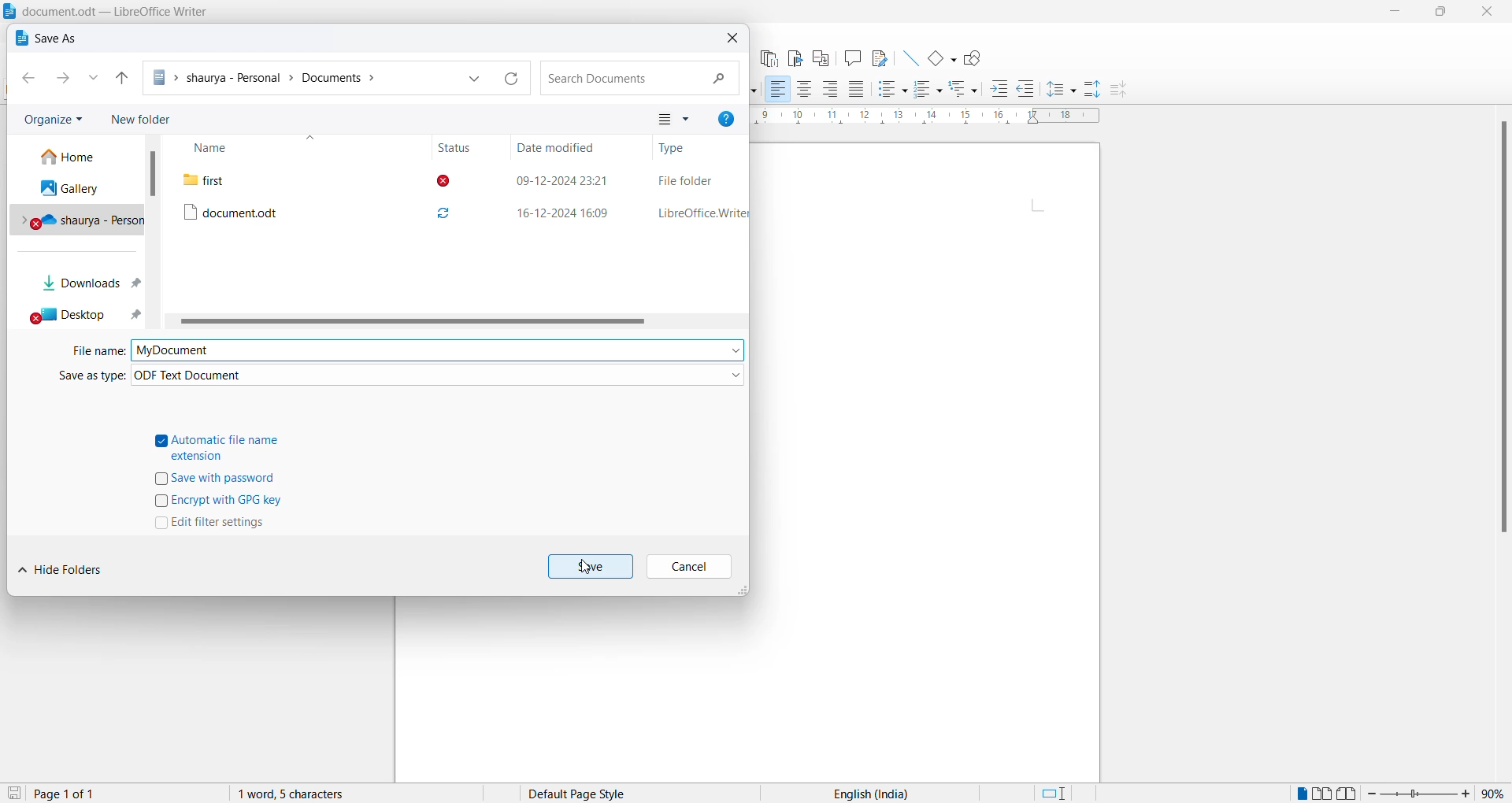  Describe the element at coordinates (852, 59) in the screenshot. I see `Insert comments` at that location.